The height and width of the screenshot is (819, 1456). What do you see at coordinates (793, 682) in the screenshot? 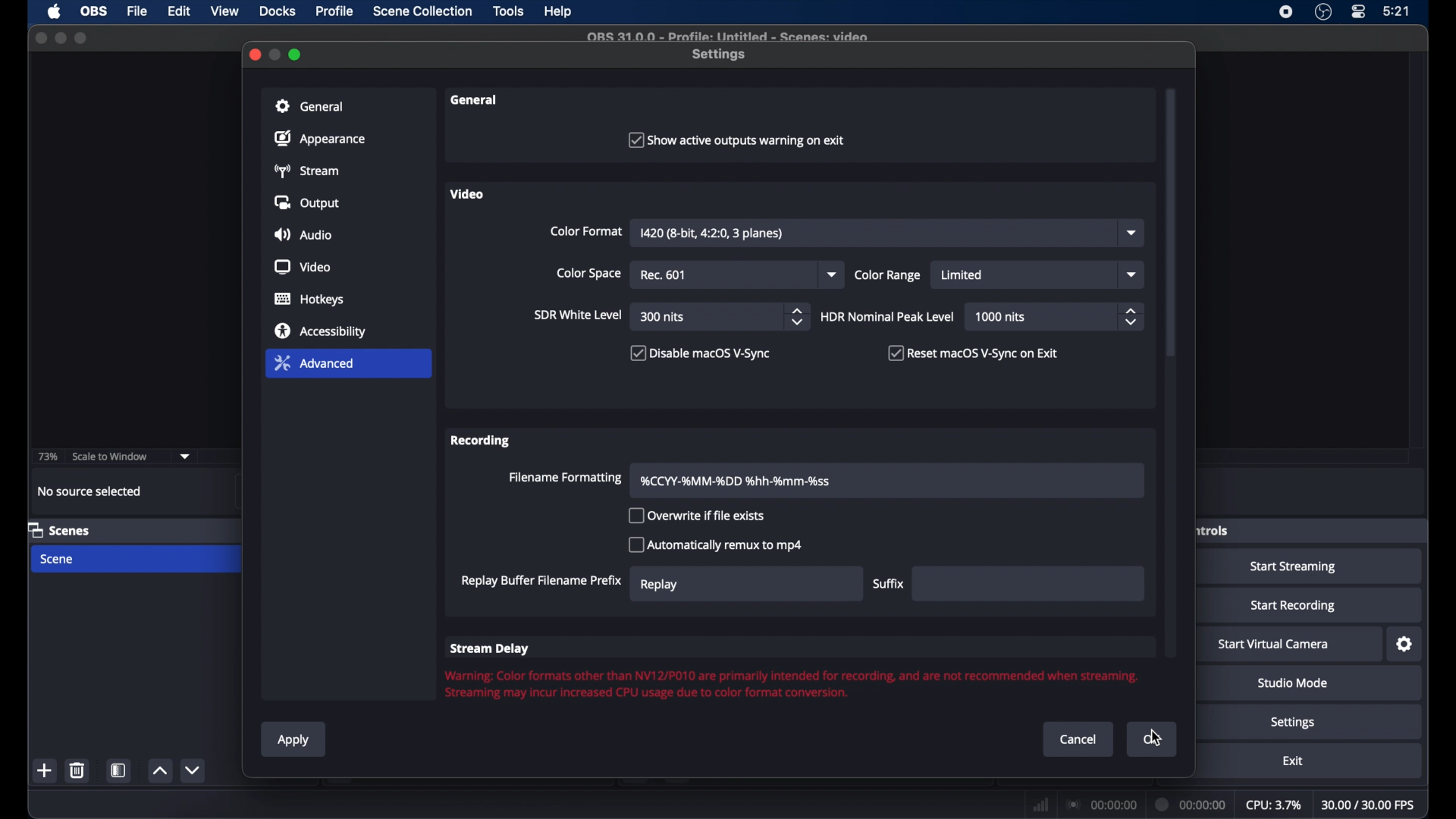
I see `warning` at bounding box center [793, 682].